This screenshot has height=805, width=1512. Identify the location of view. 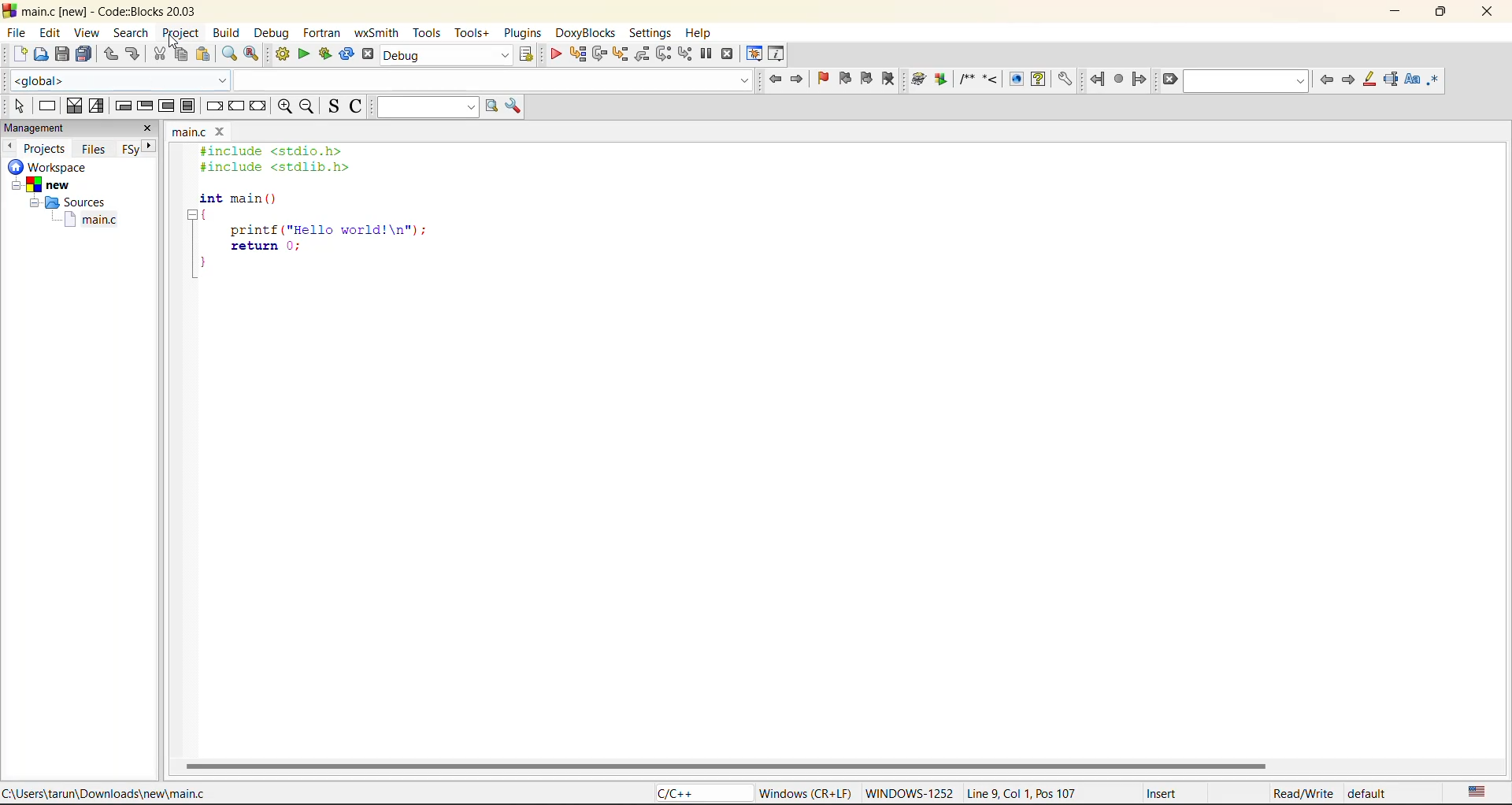
(87, 33).